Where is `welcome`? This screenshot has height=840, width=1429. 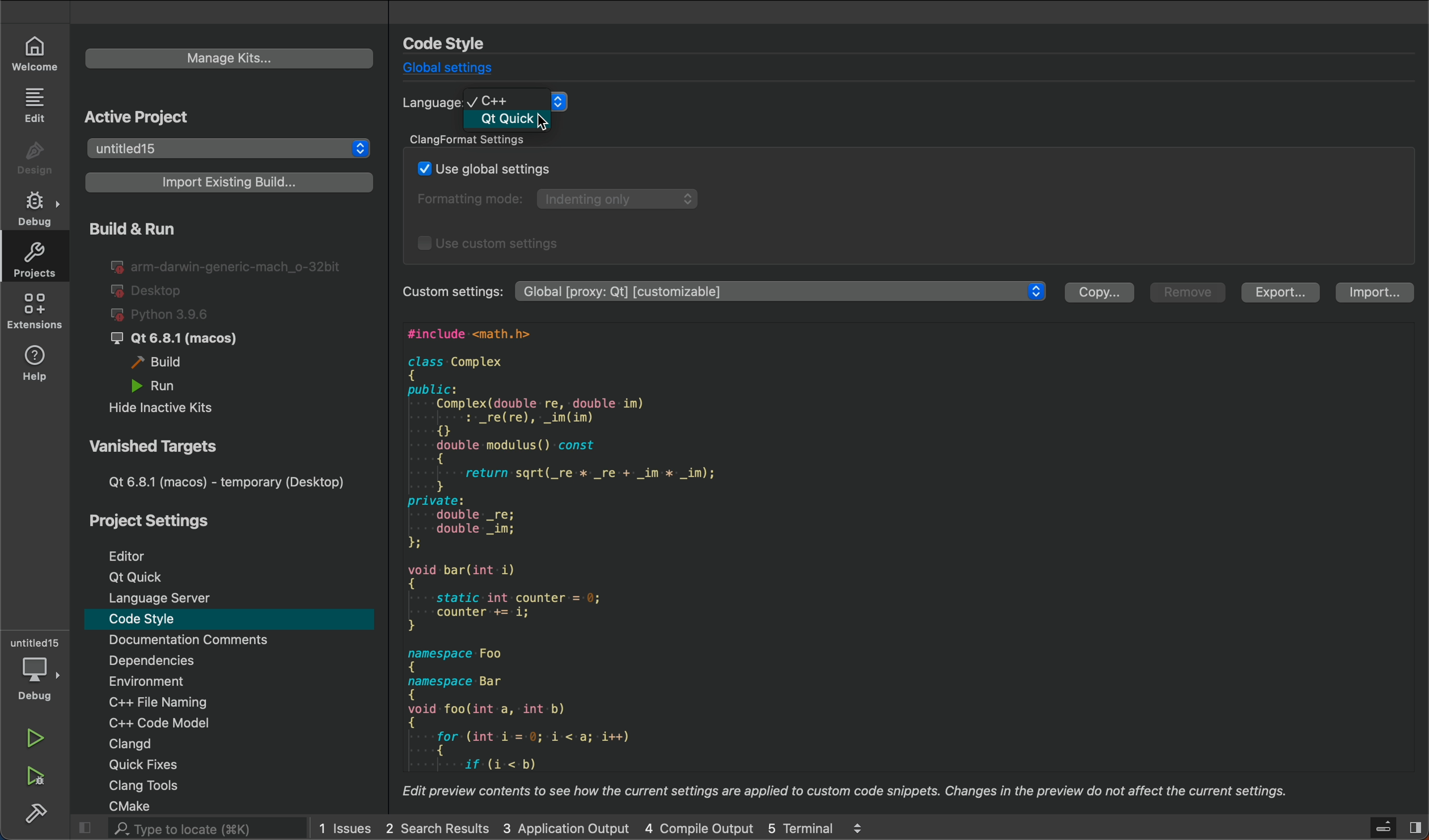
welcome is located at coordinates (40, 53).